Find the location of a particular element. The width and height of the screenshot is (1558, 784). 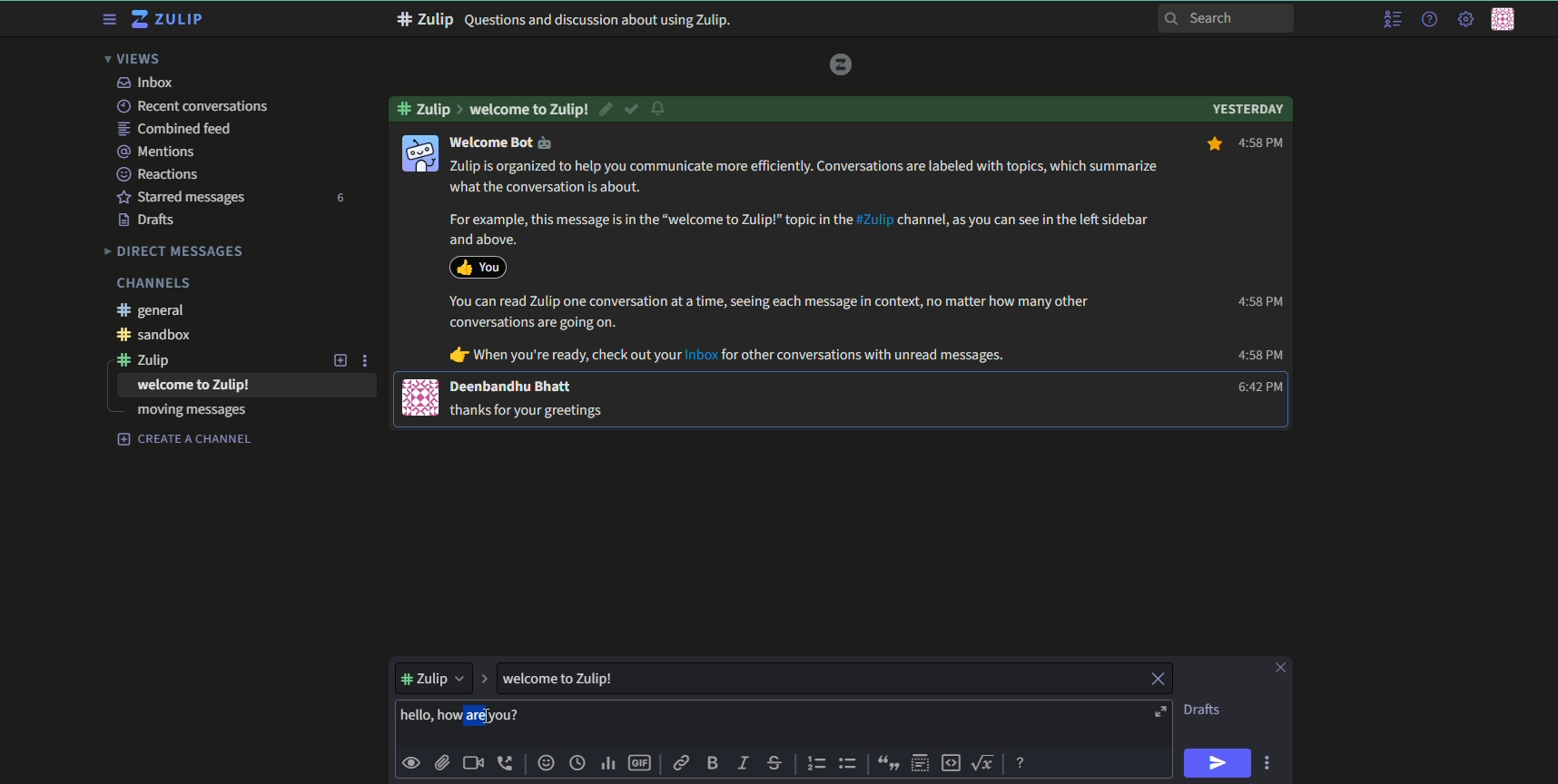

starred messages is located at coordinates (181, 196).